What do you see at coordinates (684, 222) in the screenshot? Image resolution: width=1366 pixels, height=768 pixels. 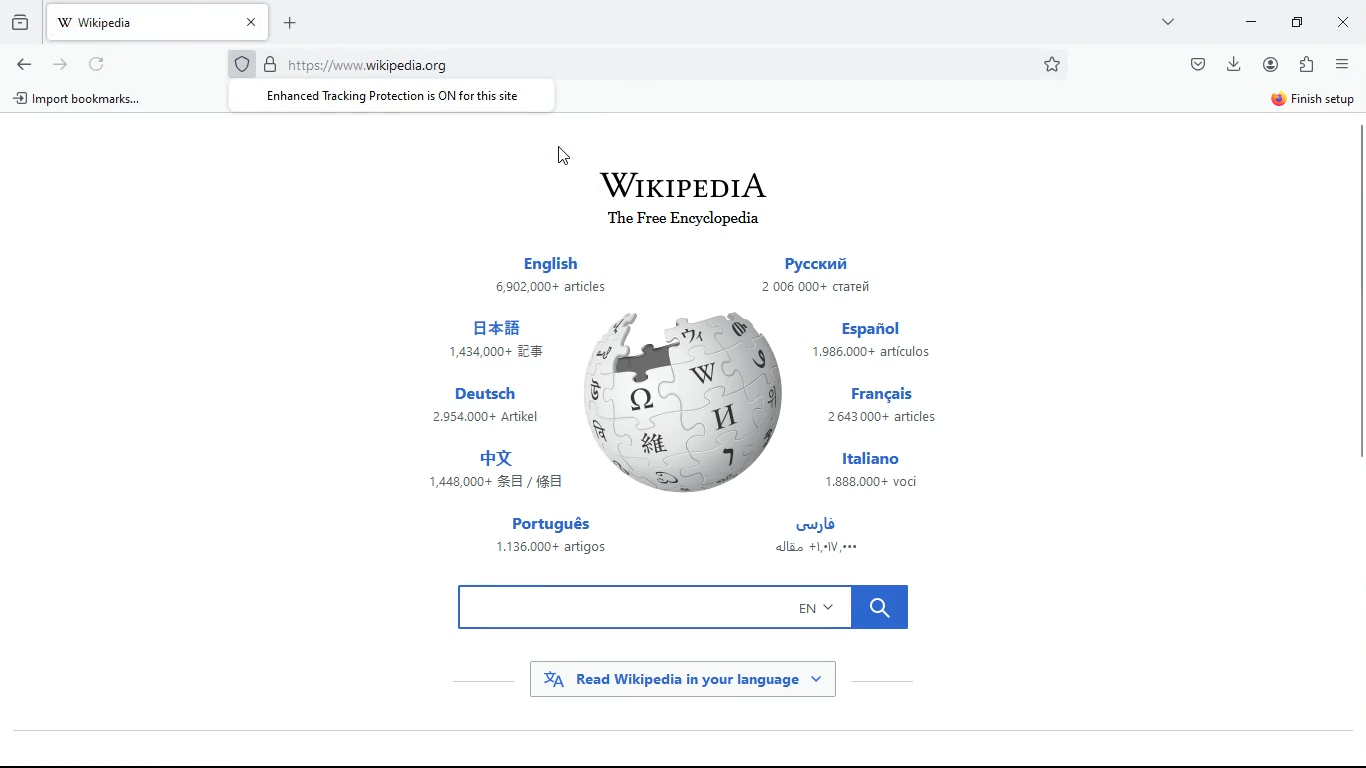 I see `The Free Encyclopedia` at bounding box center [684, 222].